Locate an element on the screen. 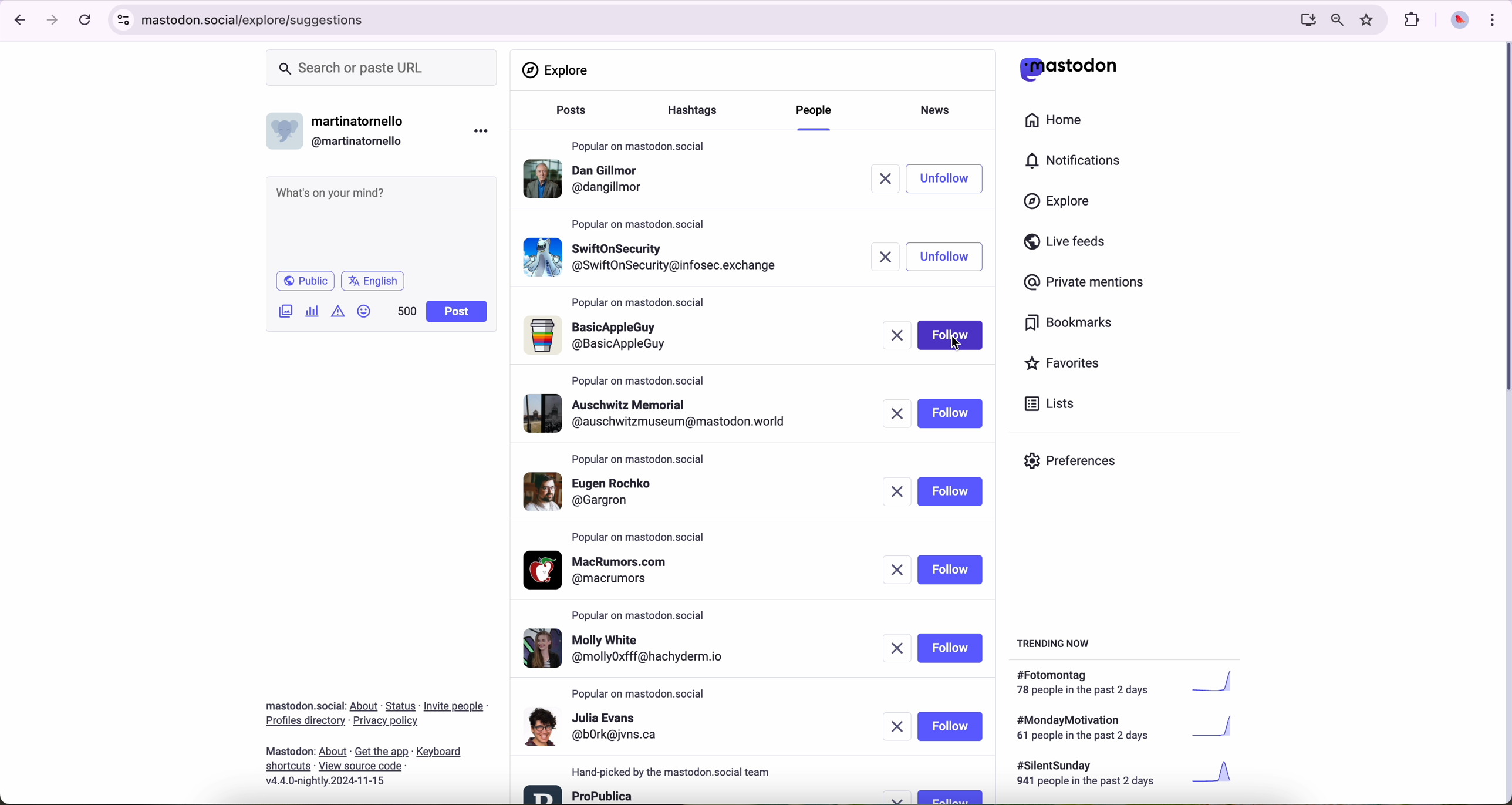 This screenshot has width=1512, height=805. private mentions is located at coordinates (1085, 283).